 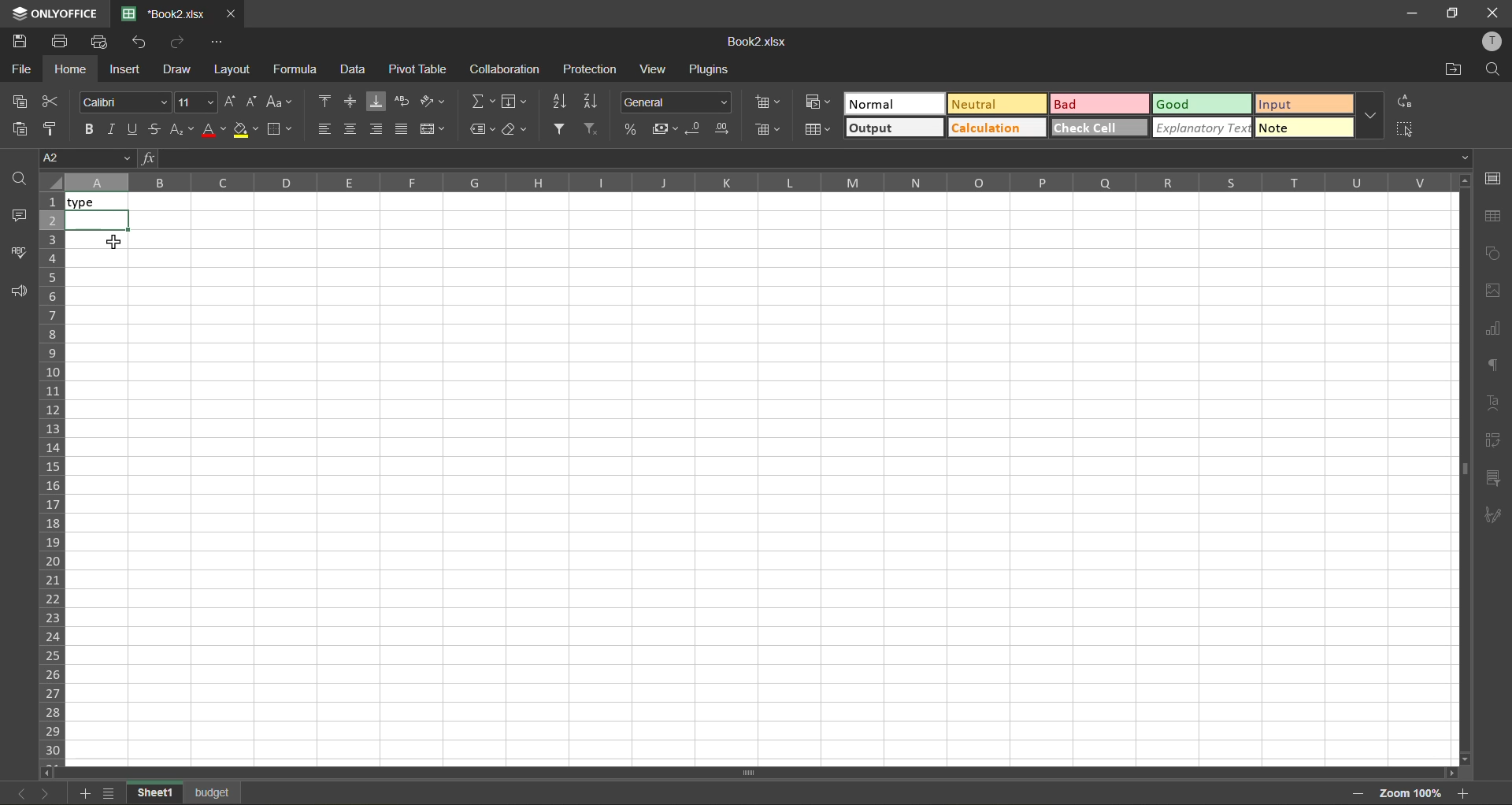 I want to click on changed cell address, so click(x=84, y=160).